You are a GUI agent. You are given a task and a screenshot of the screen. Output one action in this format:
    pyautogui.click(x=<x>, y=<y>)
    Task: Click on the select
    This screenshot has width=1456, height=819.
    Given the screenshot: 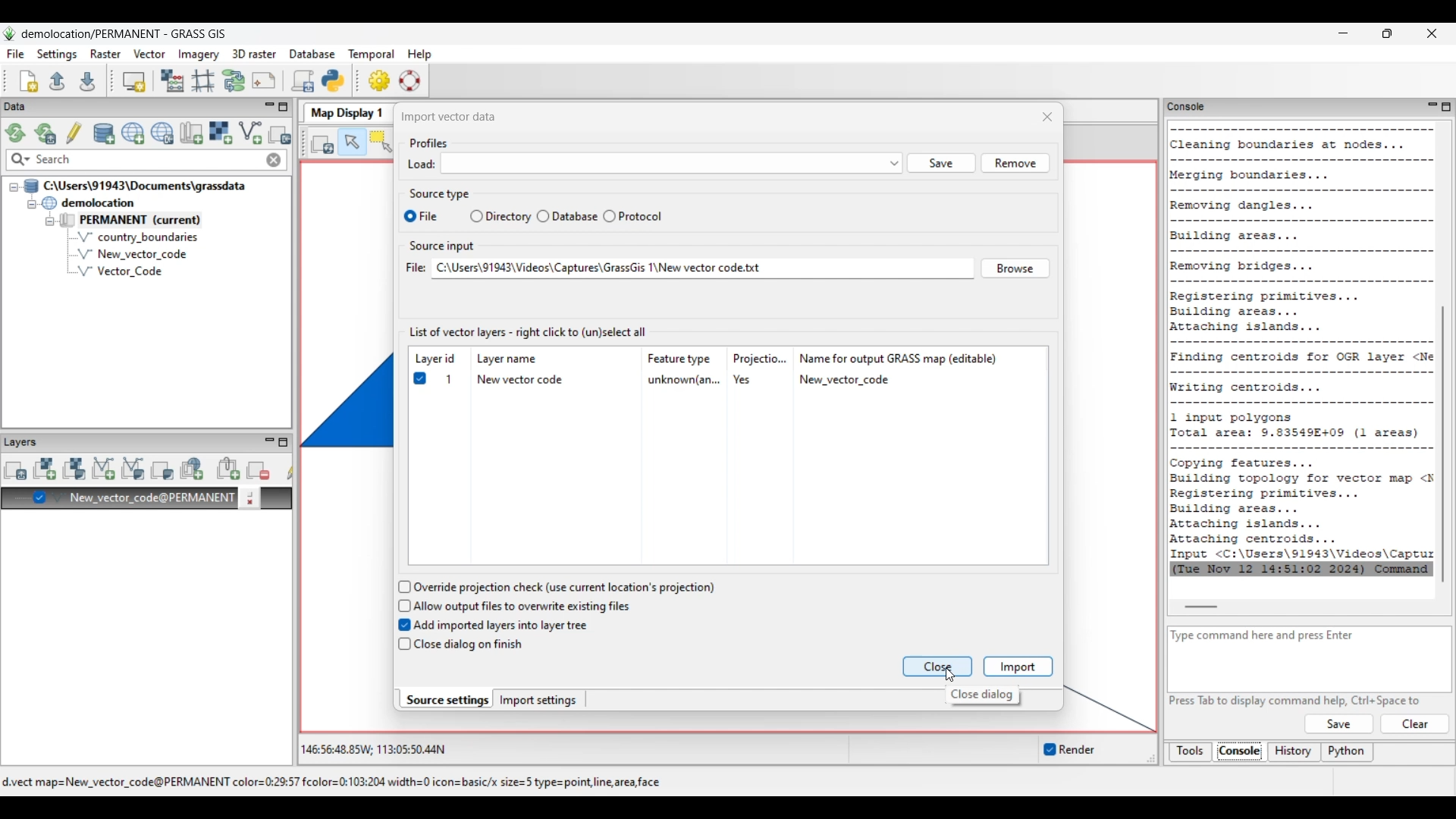 What is the action you would take?
    pyautogui.click(x=406, y=215)
    